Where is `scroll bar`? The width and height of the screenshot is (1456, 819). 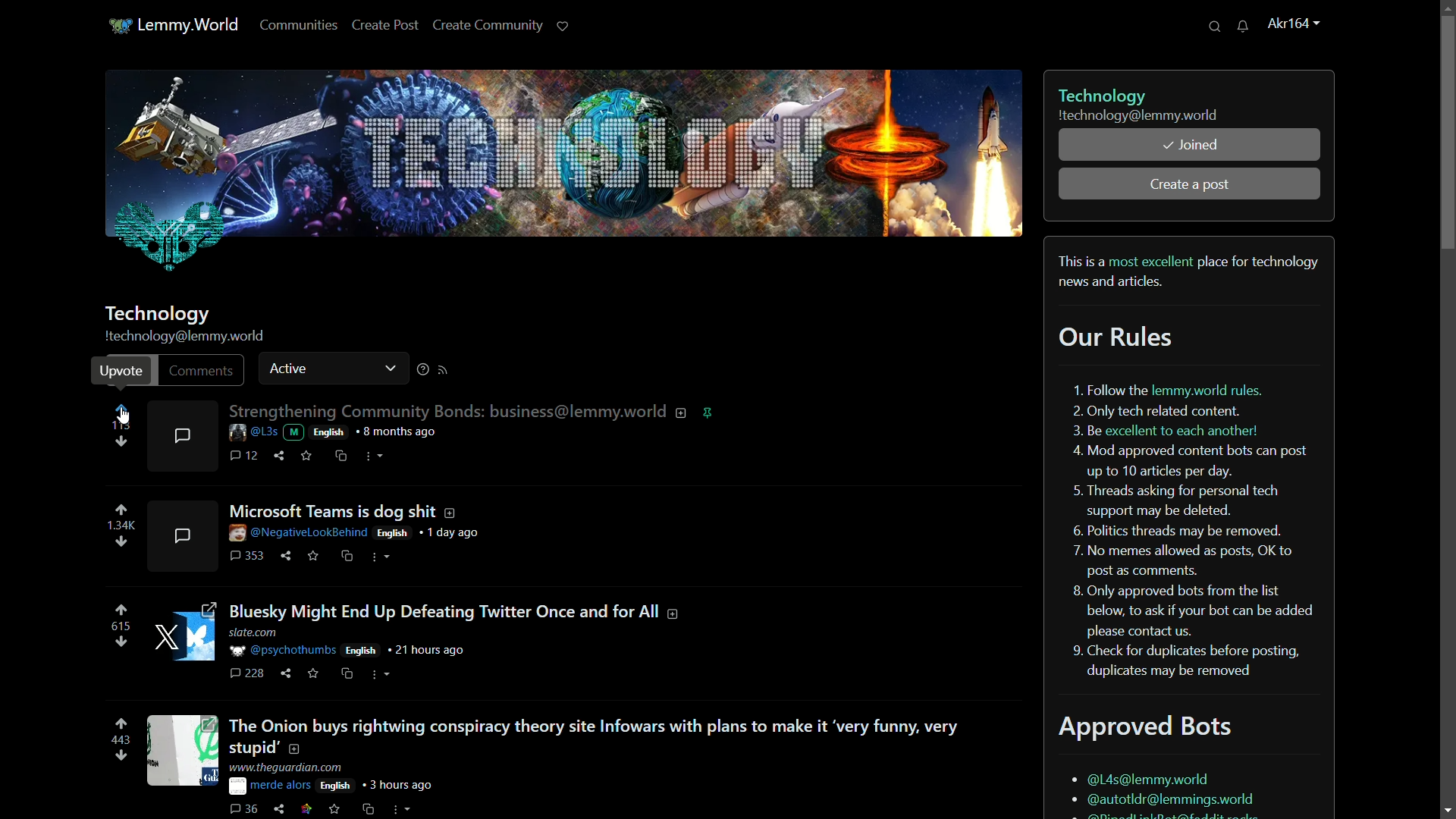
scroll bar is located at coordinates (1448, 132).